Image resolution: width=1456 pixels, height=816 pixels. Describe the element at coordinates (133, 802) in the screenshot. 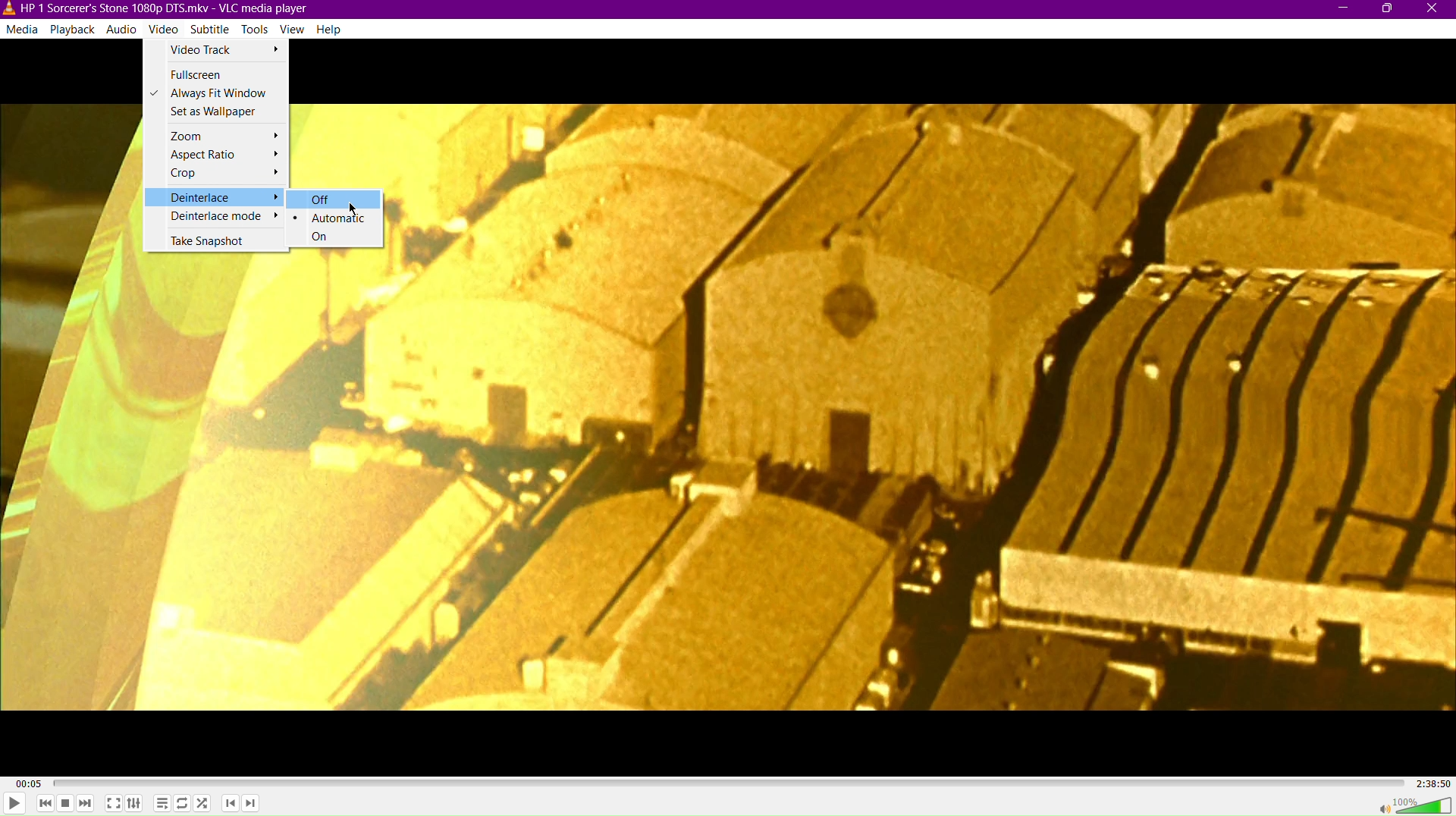

I see `Extended Settings` at that location.